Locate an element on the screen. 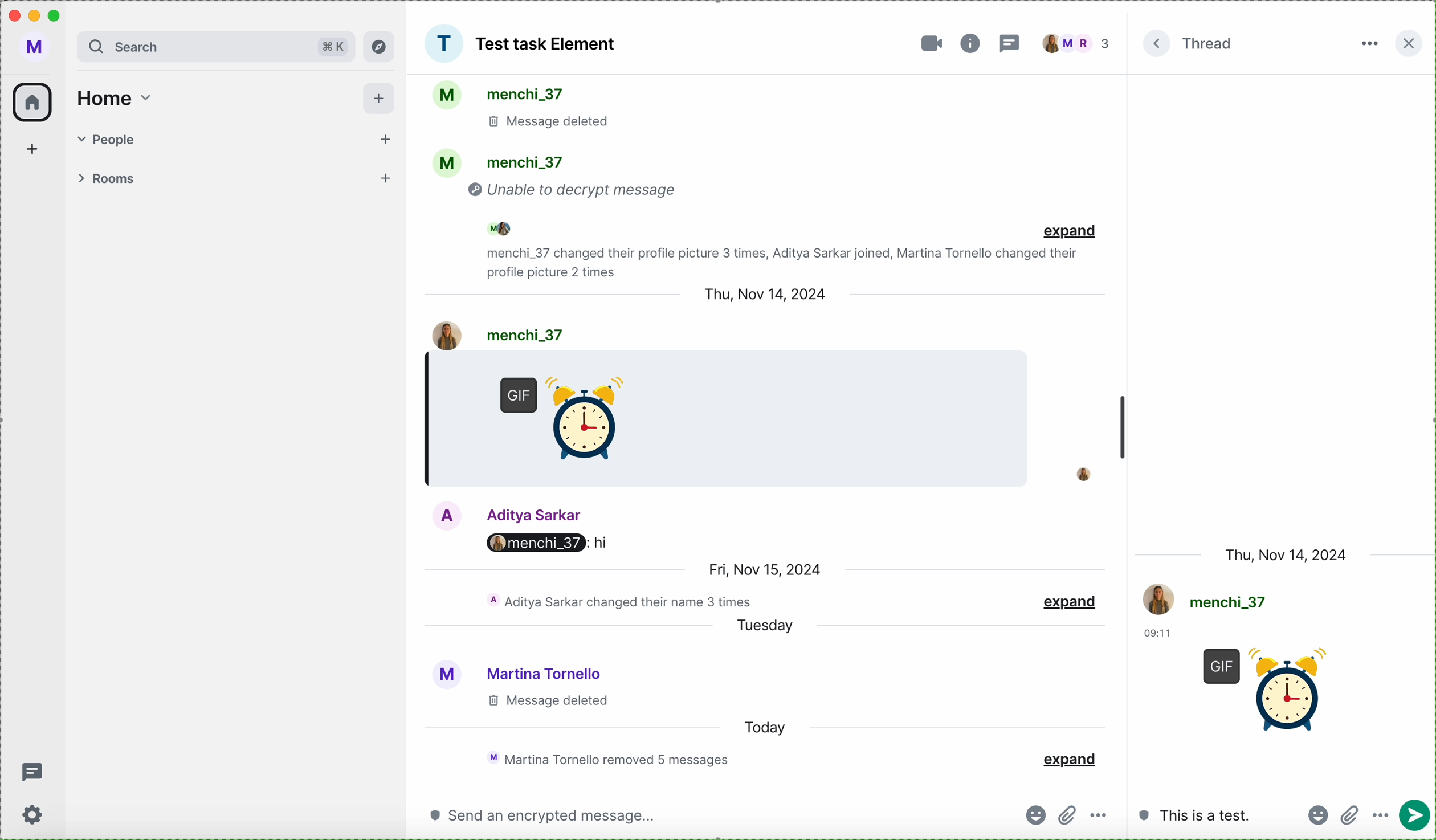 This screenshot has height=840, width=1436. home is located at coordinates (114, 99).